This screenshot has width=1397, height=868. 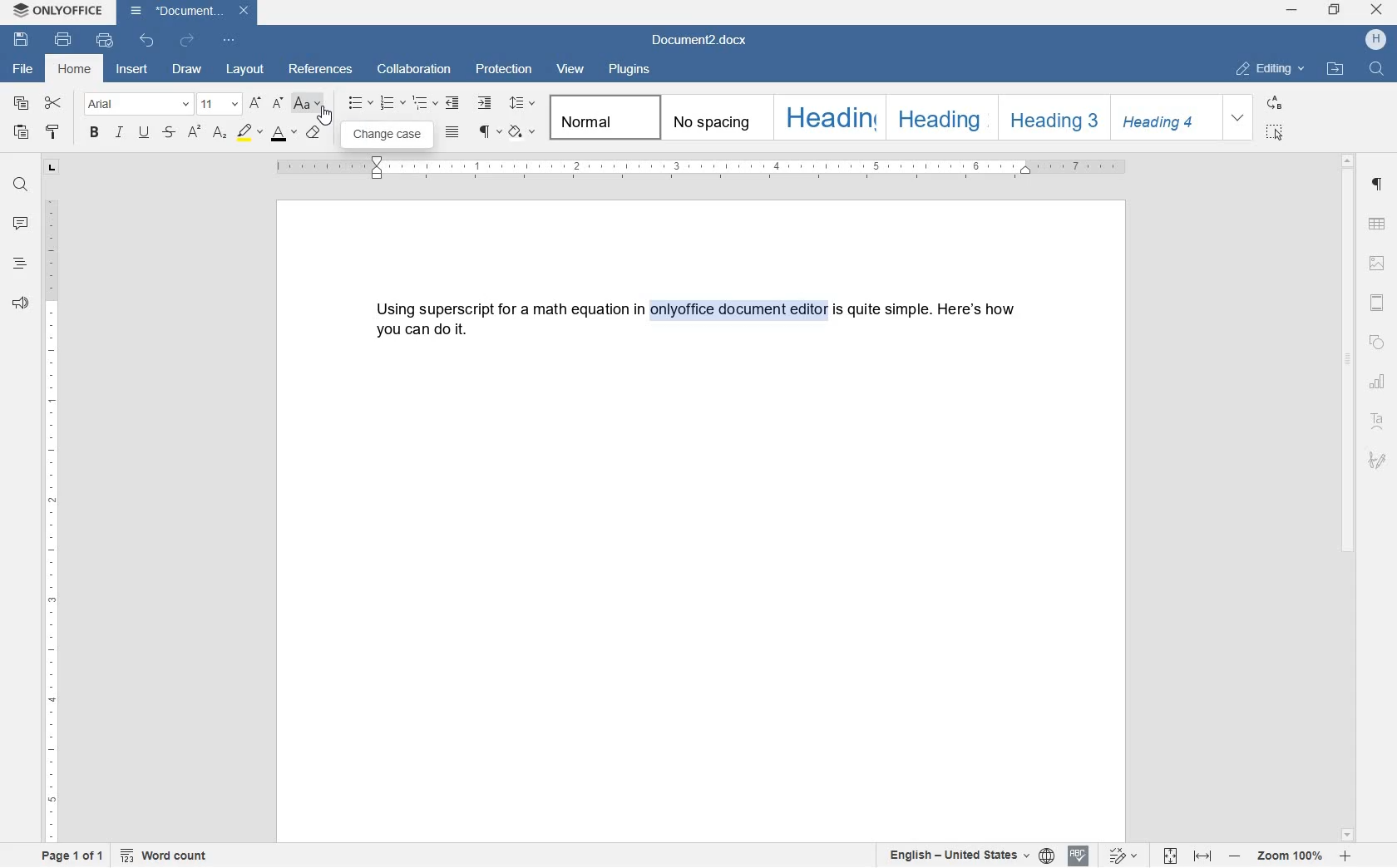 I want to click on bold, so click(x=93, y=133).